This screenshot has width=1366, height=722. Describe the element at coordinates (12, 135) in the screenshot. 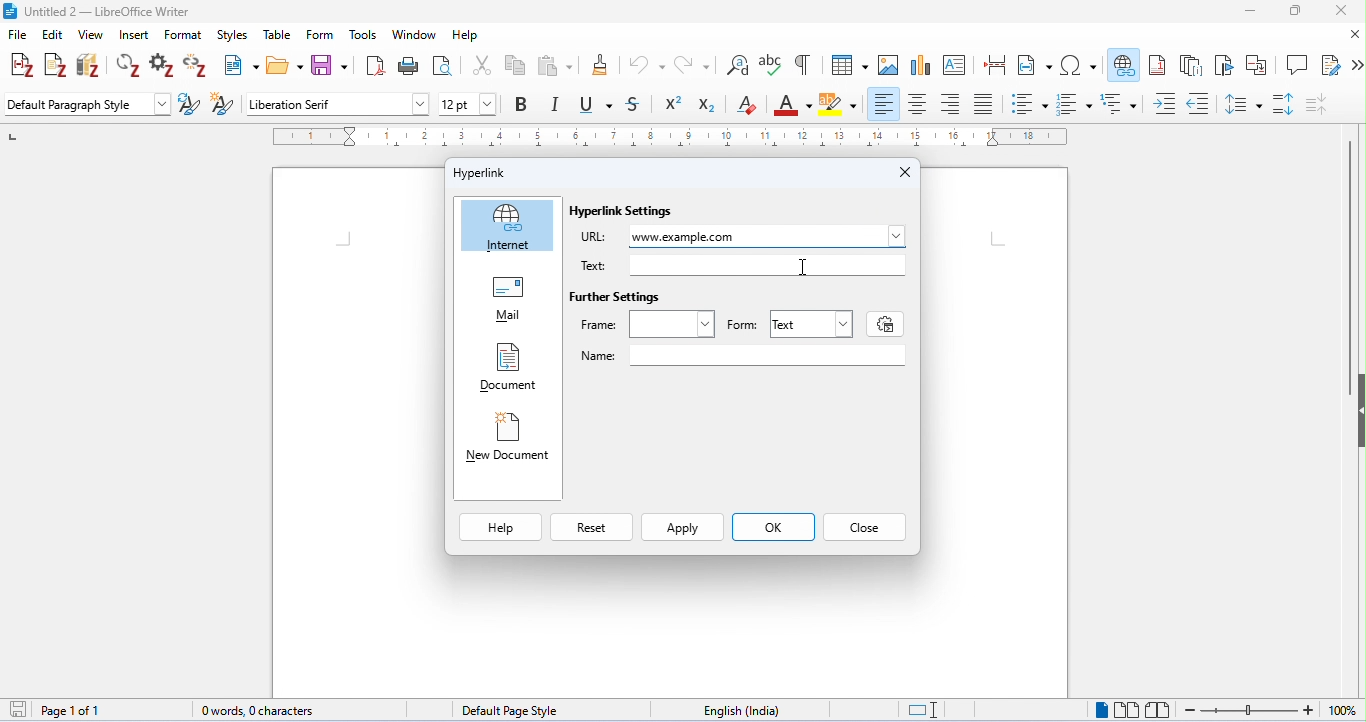

I see `left numbering in ruler` at that location.